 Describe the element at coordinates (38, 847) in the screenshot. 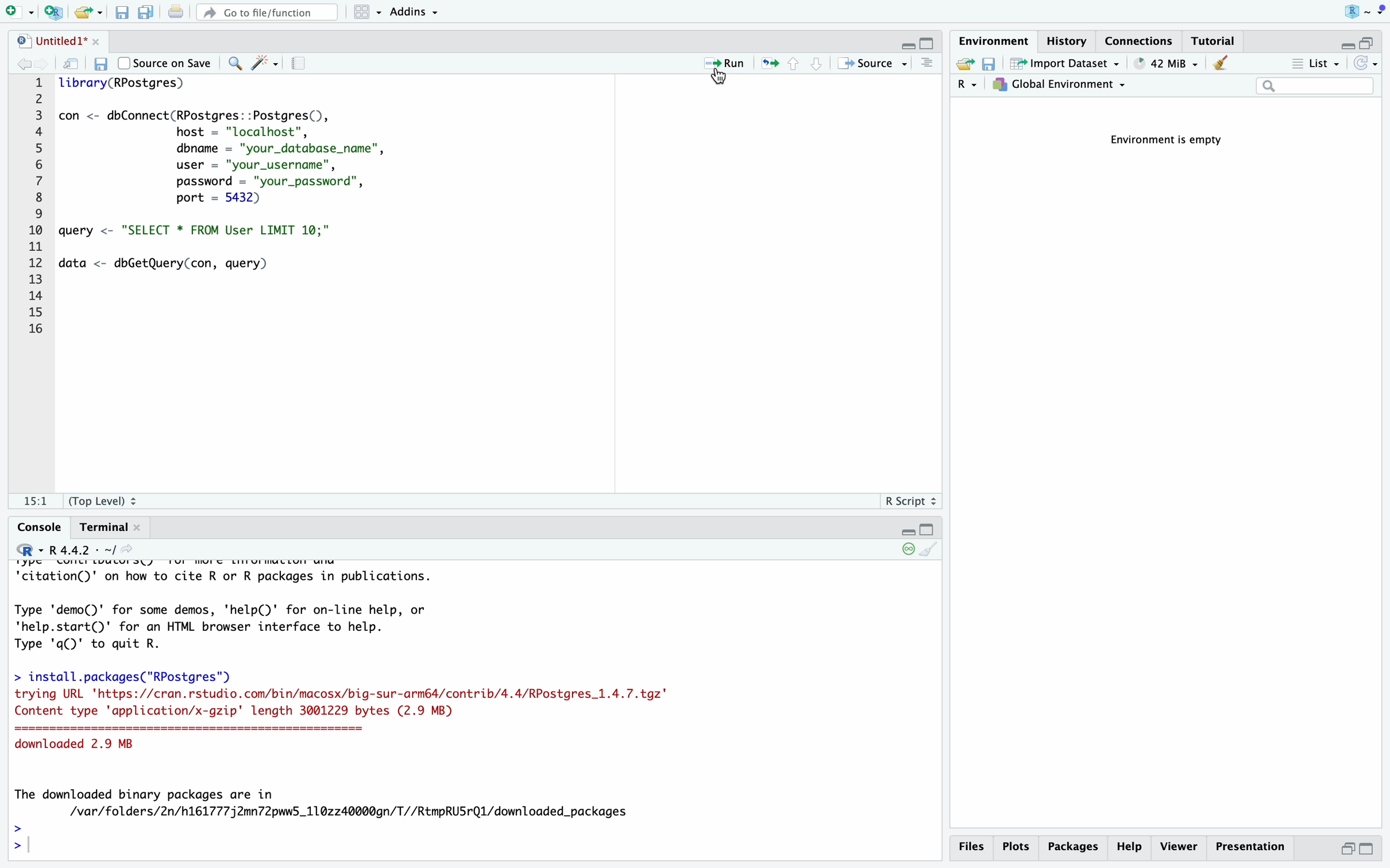

I see `typing cursor` at that location.